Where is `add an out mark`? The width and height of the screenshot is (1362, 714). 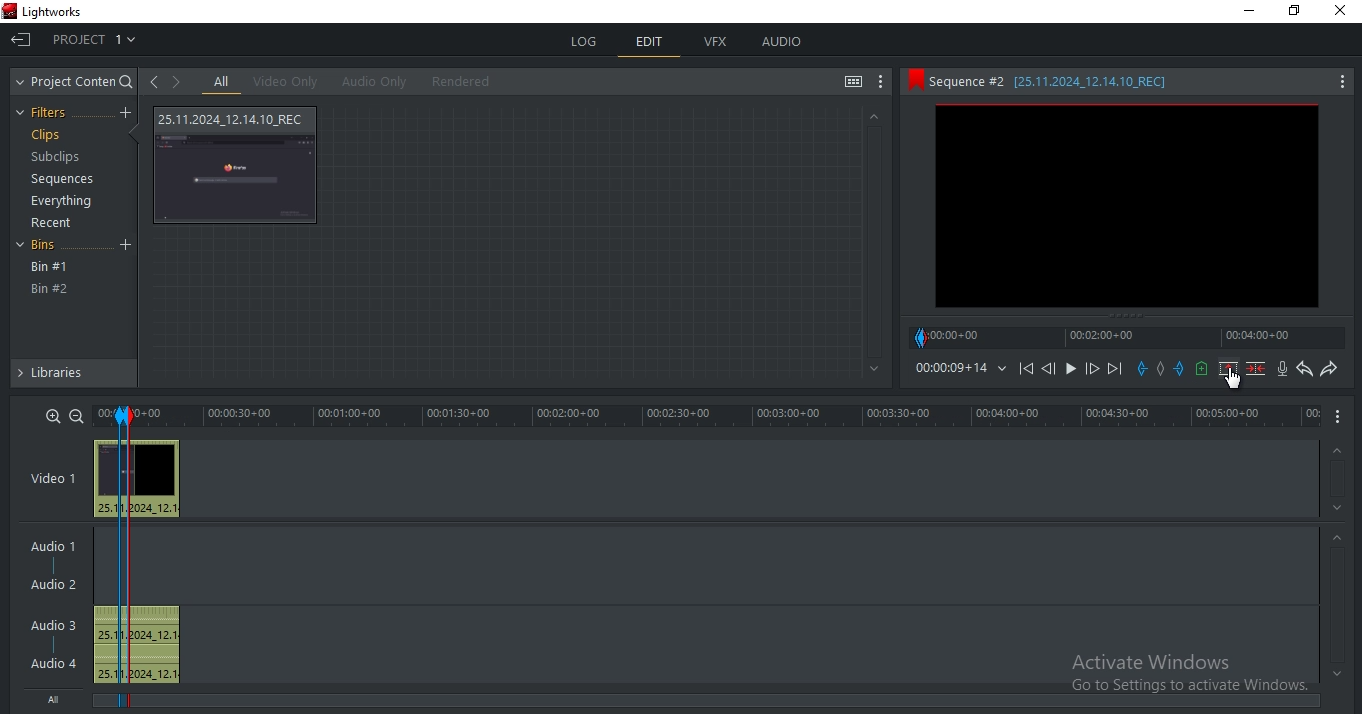 add an out mark is located at coordinates (1180, 369).